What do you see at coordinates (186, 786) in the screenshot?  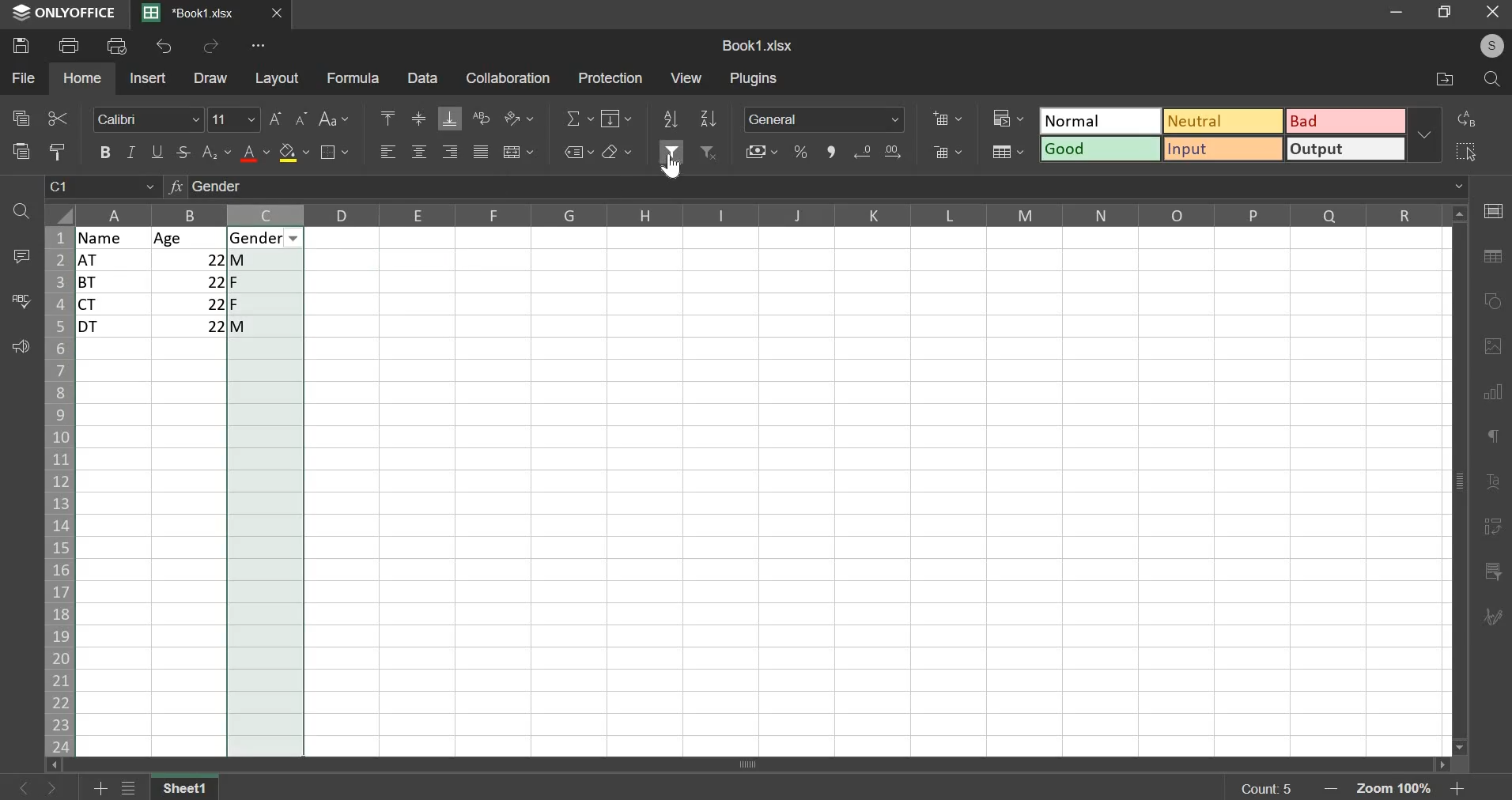 I see `sheet 1` at bounding box center [186, 786].